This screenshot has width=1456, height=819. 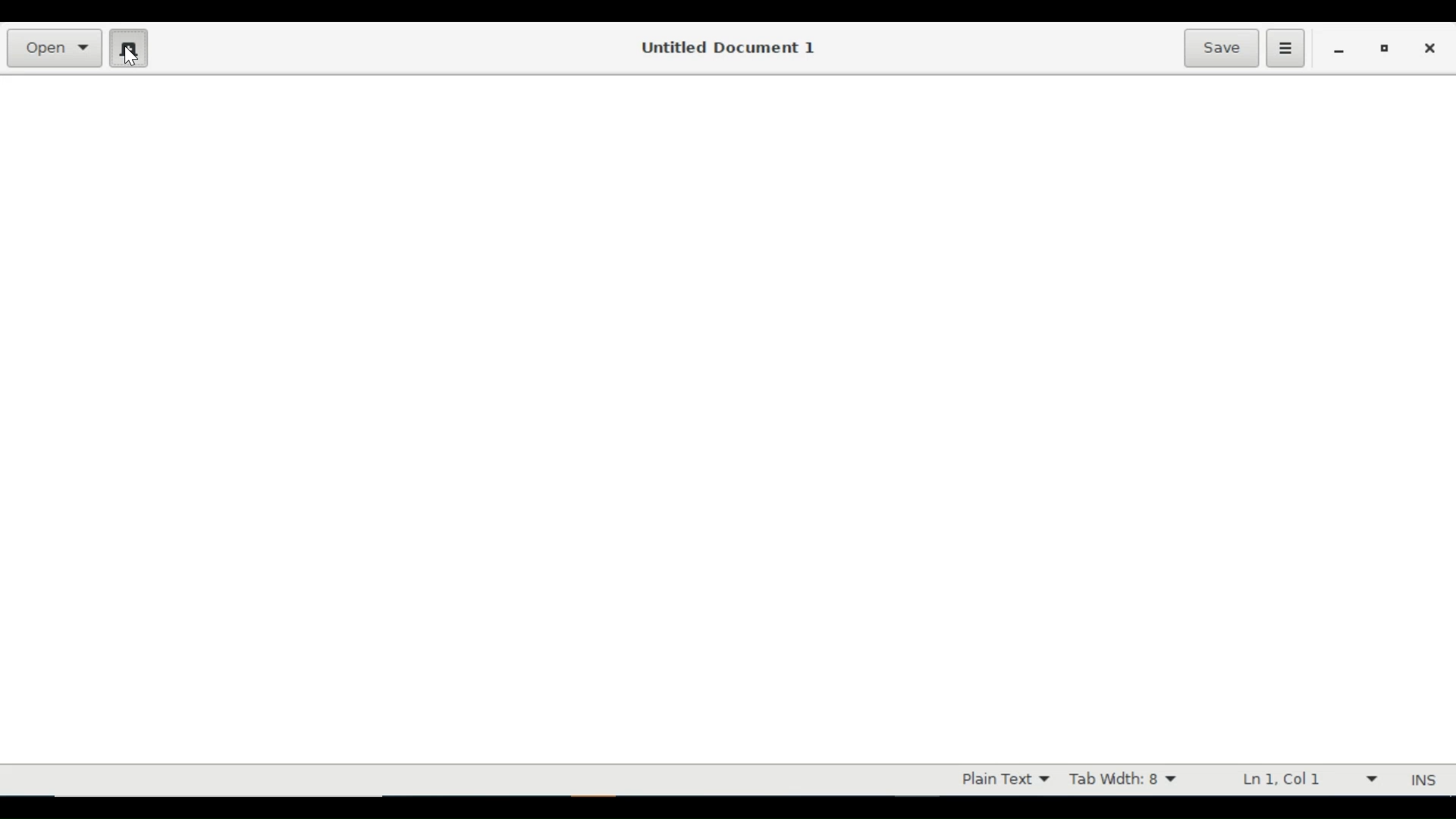 What do you see at coordinates (55, 49) in the screenshot?
I see `Open` at bounding box center [55, 49].